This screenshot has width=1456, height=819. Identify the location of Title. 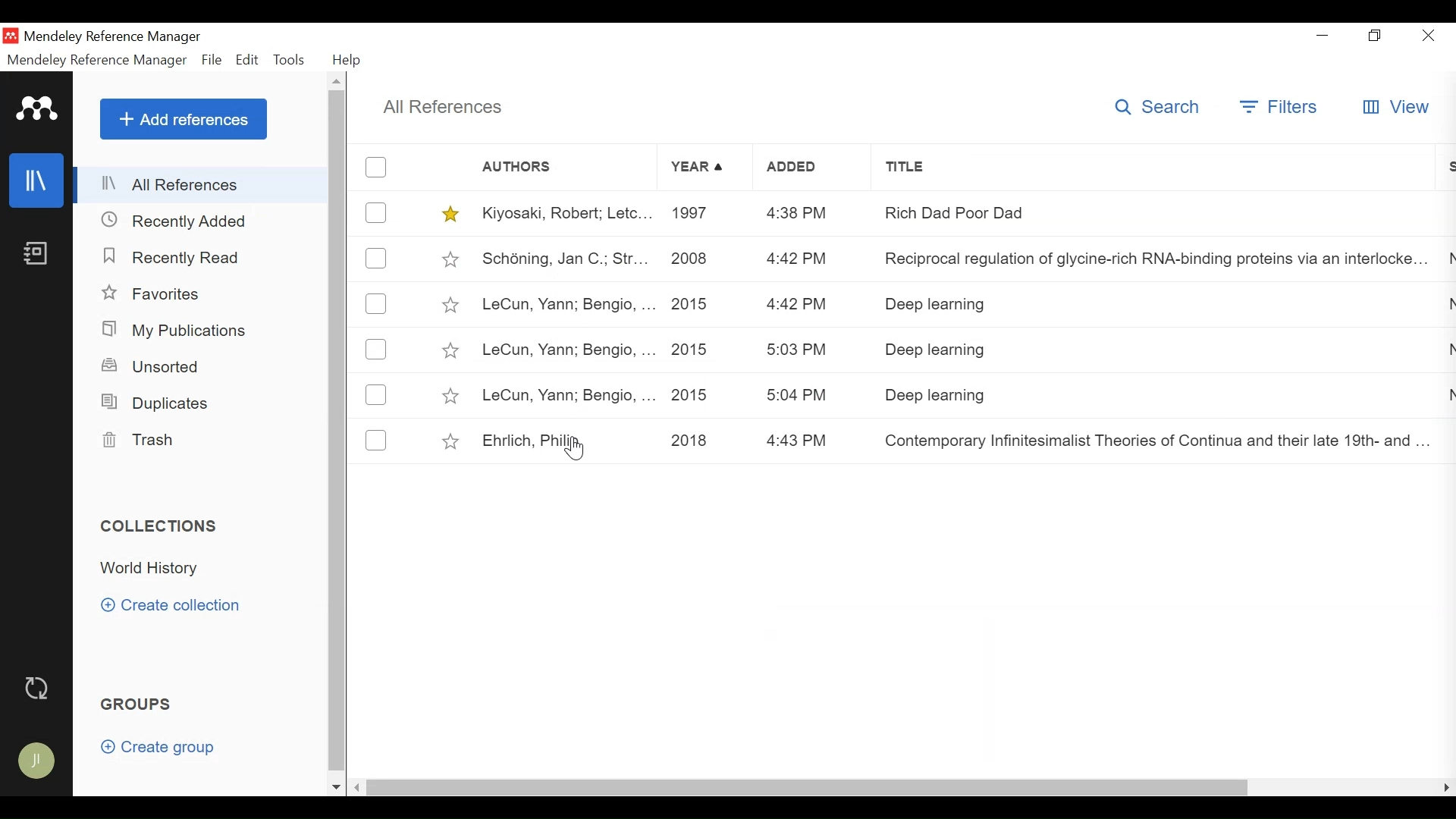
(1161, 168).